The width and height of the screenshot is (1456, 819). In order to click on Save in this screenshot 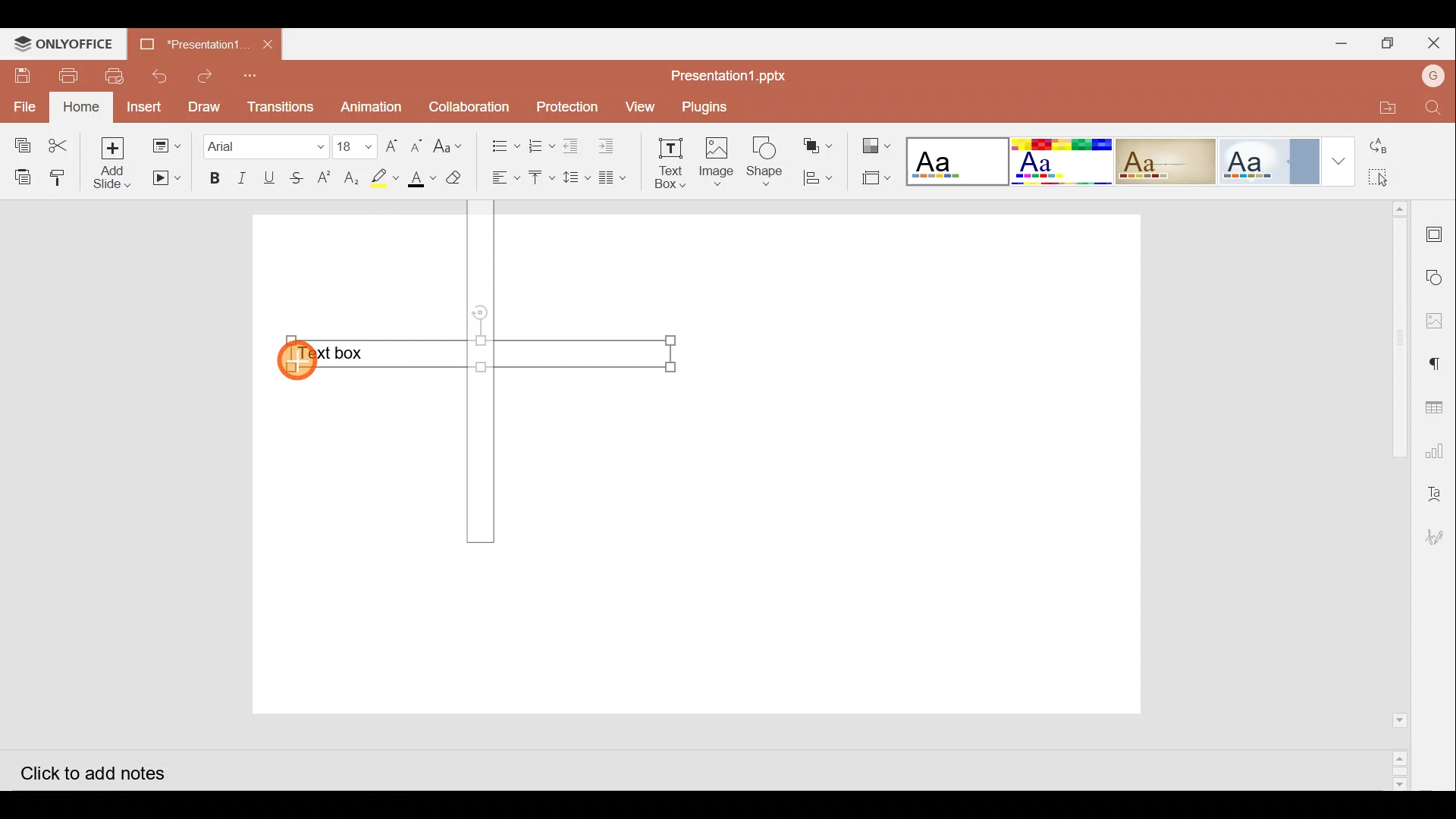, I will do `click(19, 76)`.